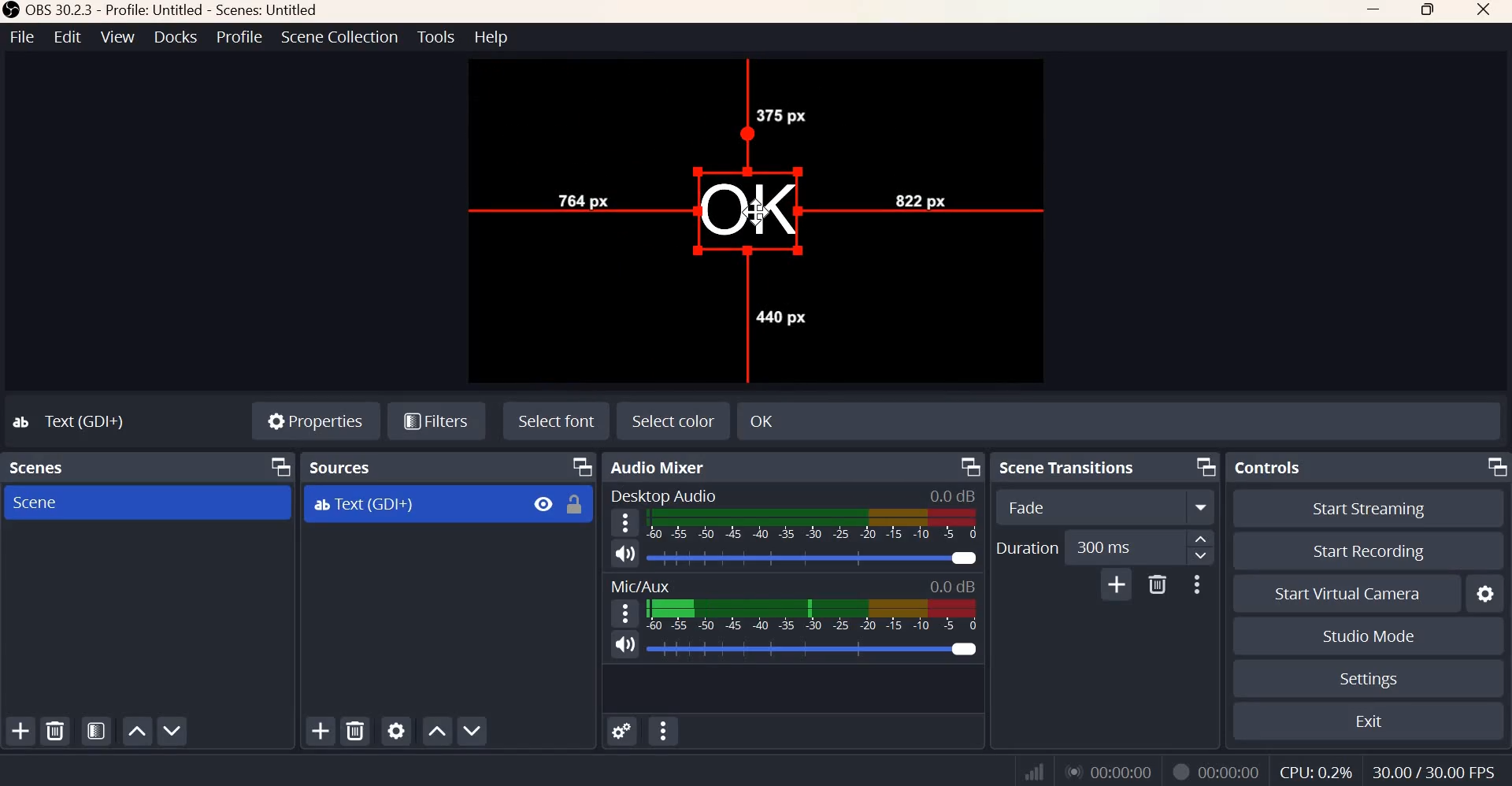 This screenshot has width=1512, height=786. I want to click on Add source(s), so click(322, 732).